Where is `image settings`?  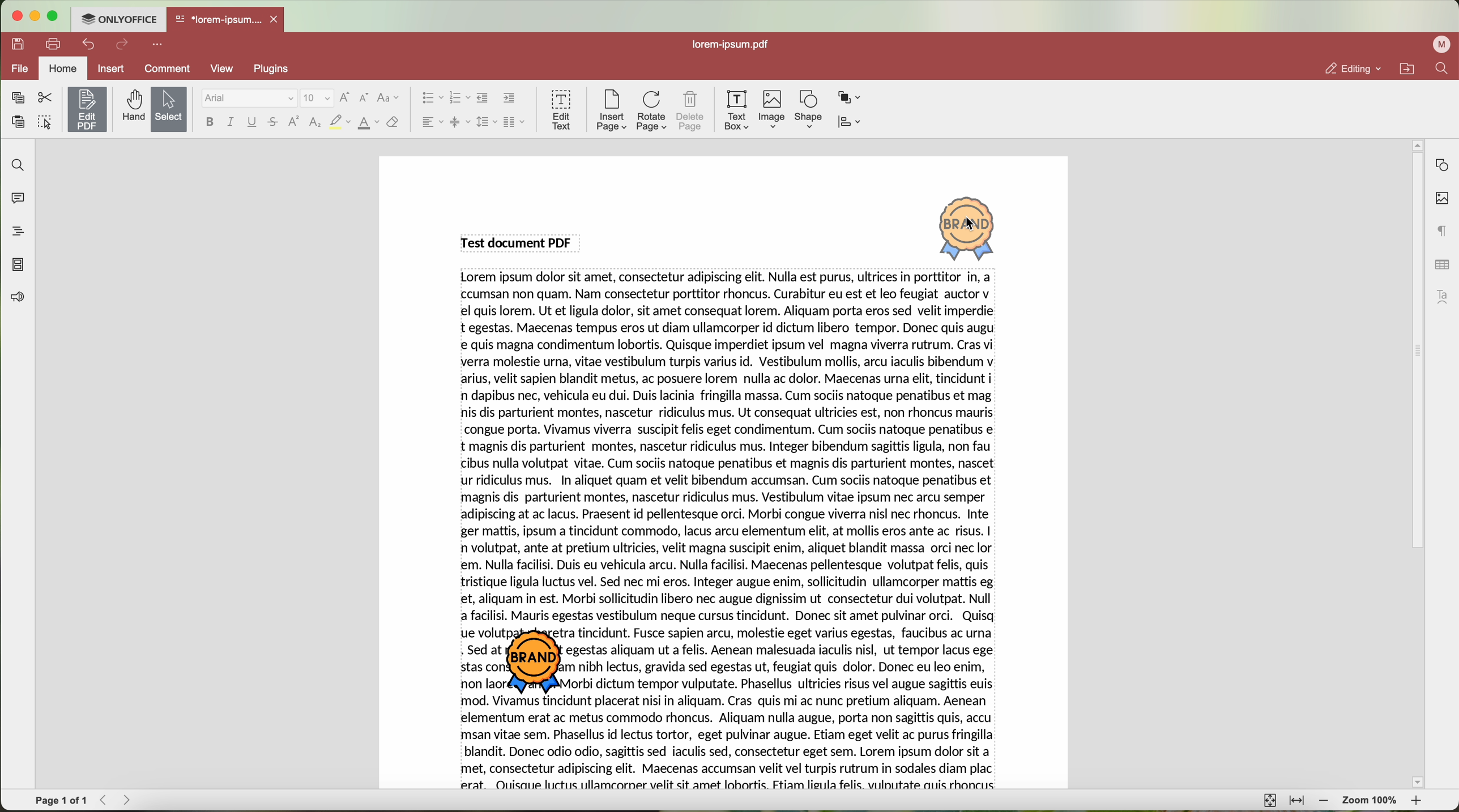
image settings is located at coordinates (1442, 199).